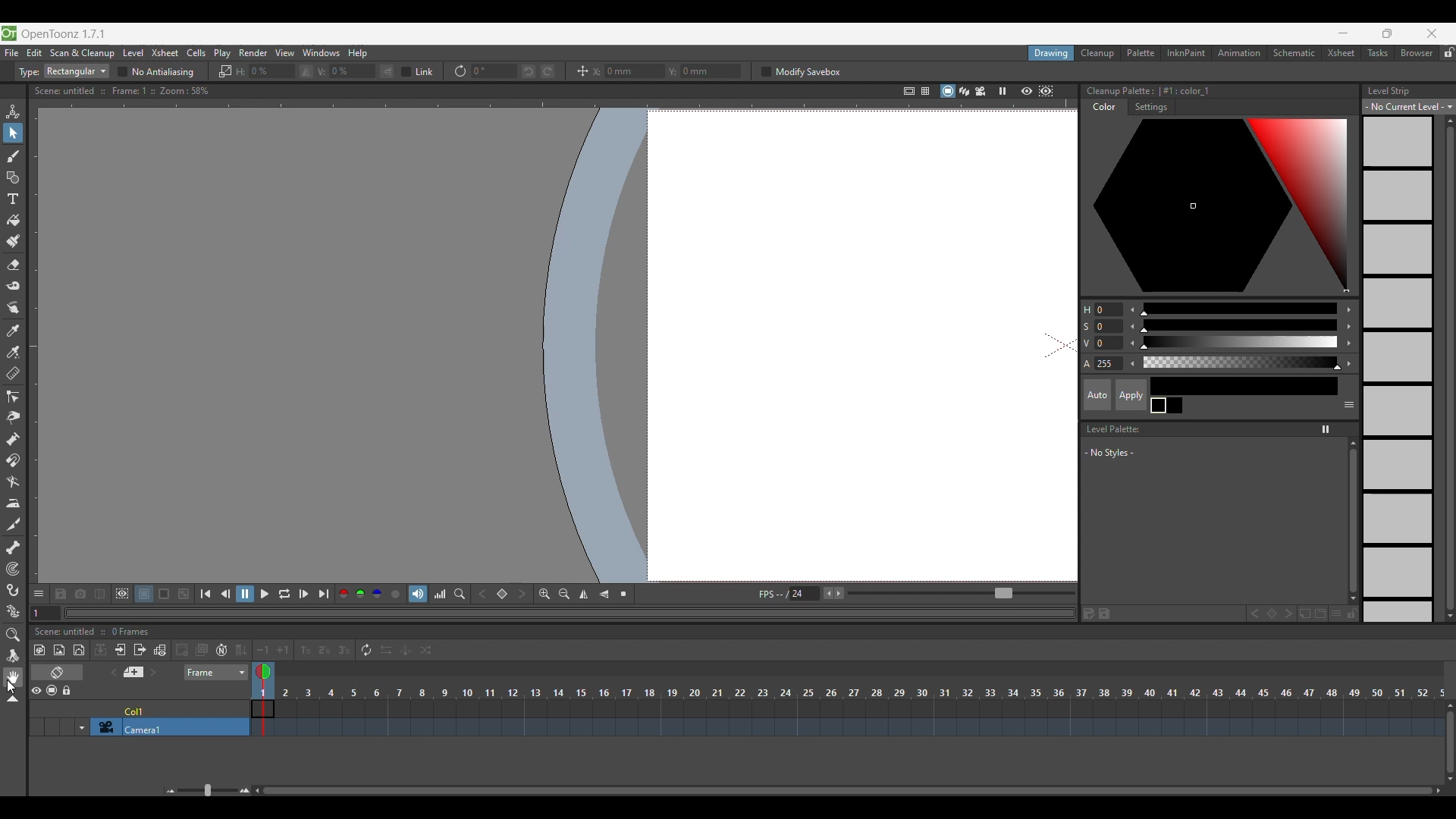  I want to click on Browser, so click(1417, 53).